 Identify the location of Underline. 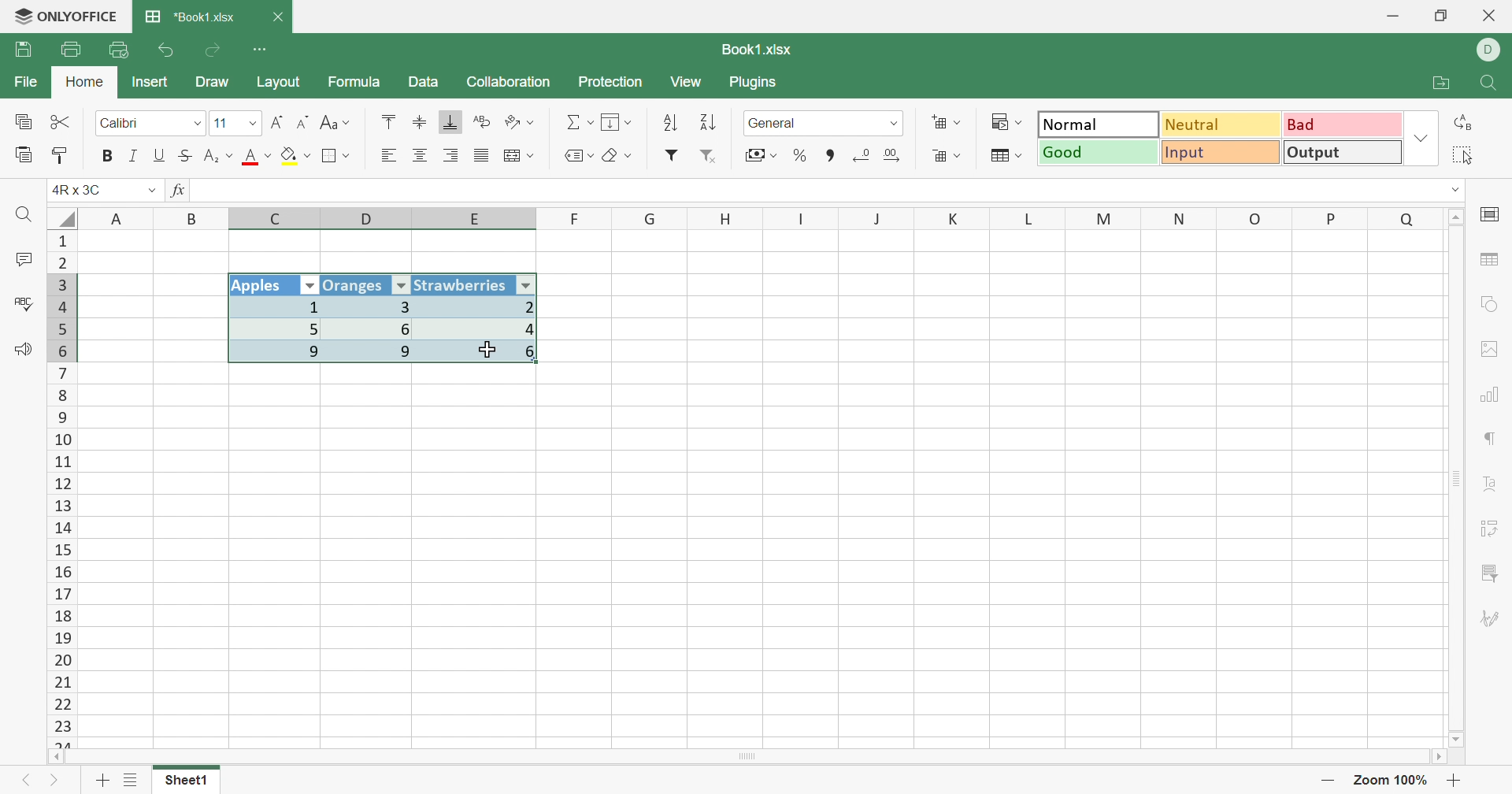
(160, 155).